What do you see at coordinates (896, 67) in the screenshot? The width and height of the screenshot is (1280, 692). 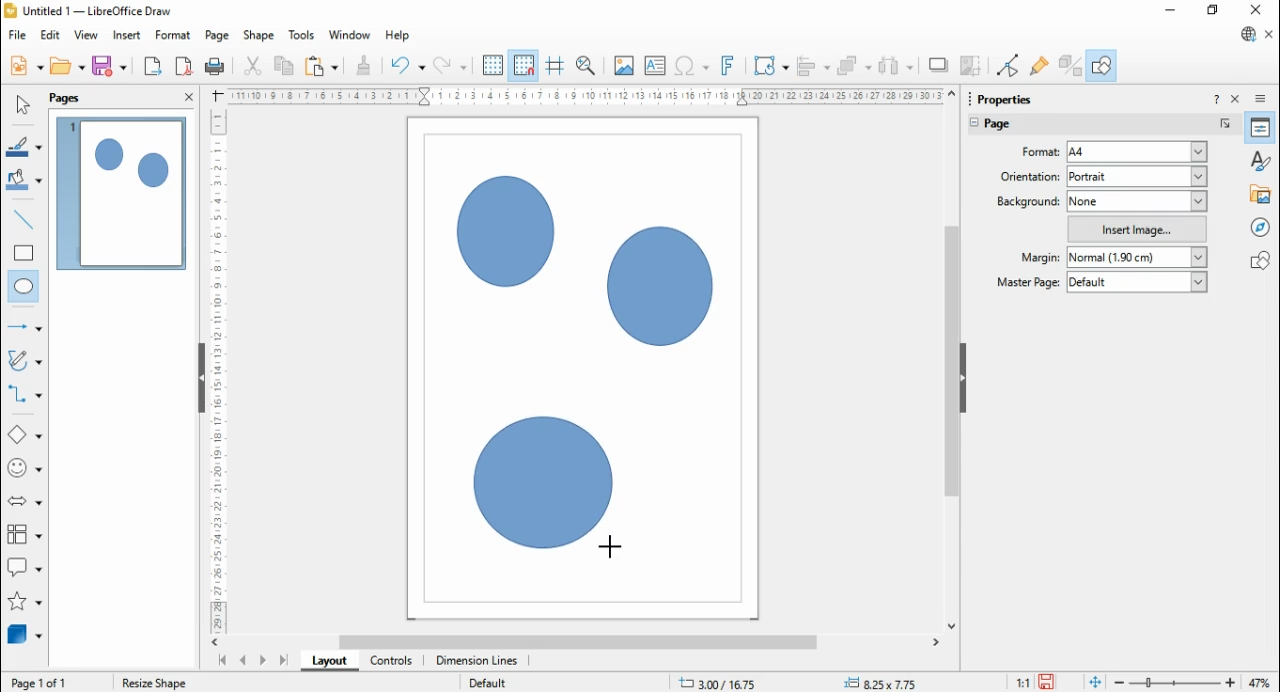 I see `select at least three objects to distribute` at bounding box center [896, 67].